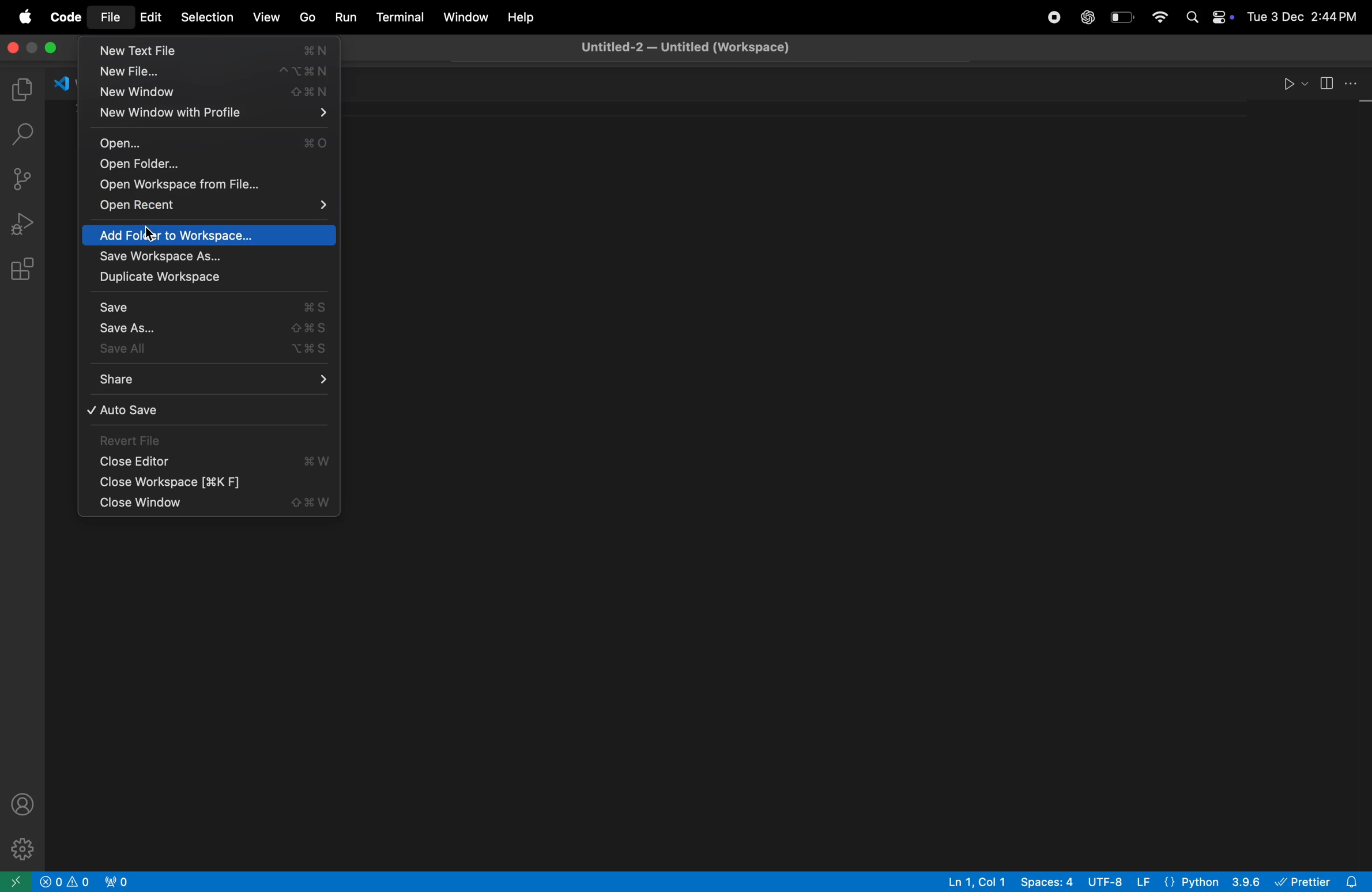 The image size is (1372, 892). Describe the element at coordinates (149, 16) in the screenshot. I see `edit` at that location.